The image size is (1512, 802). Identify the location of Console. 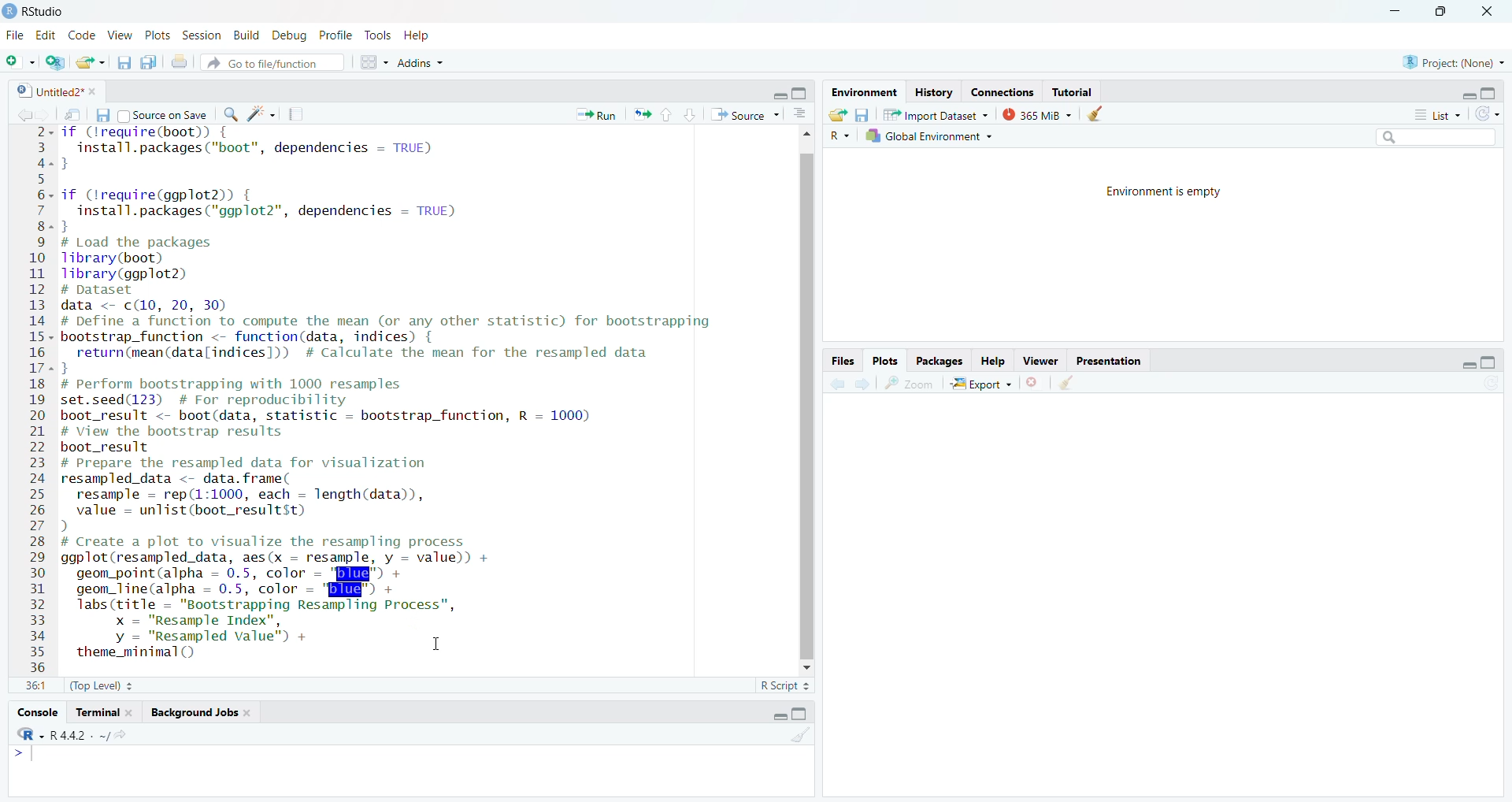
(36, 713).